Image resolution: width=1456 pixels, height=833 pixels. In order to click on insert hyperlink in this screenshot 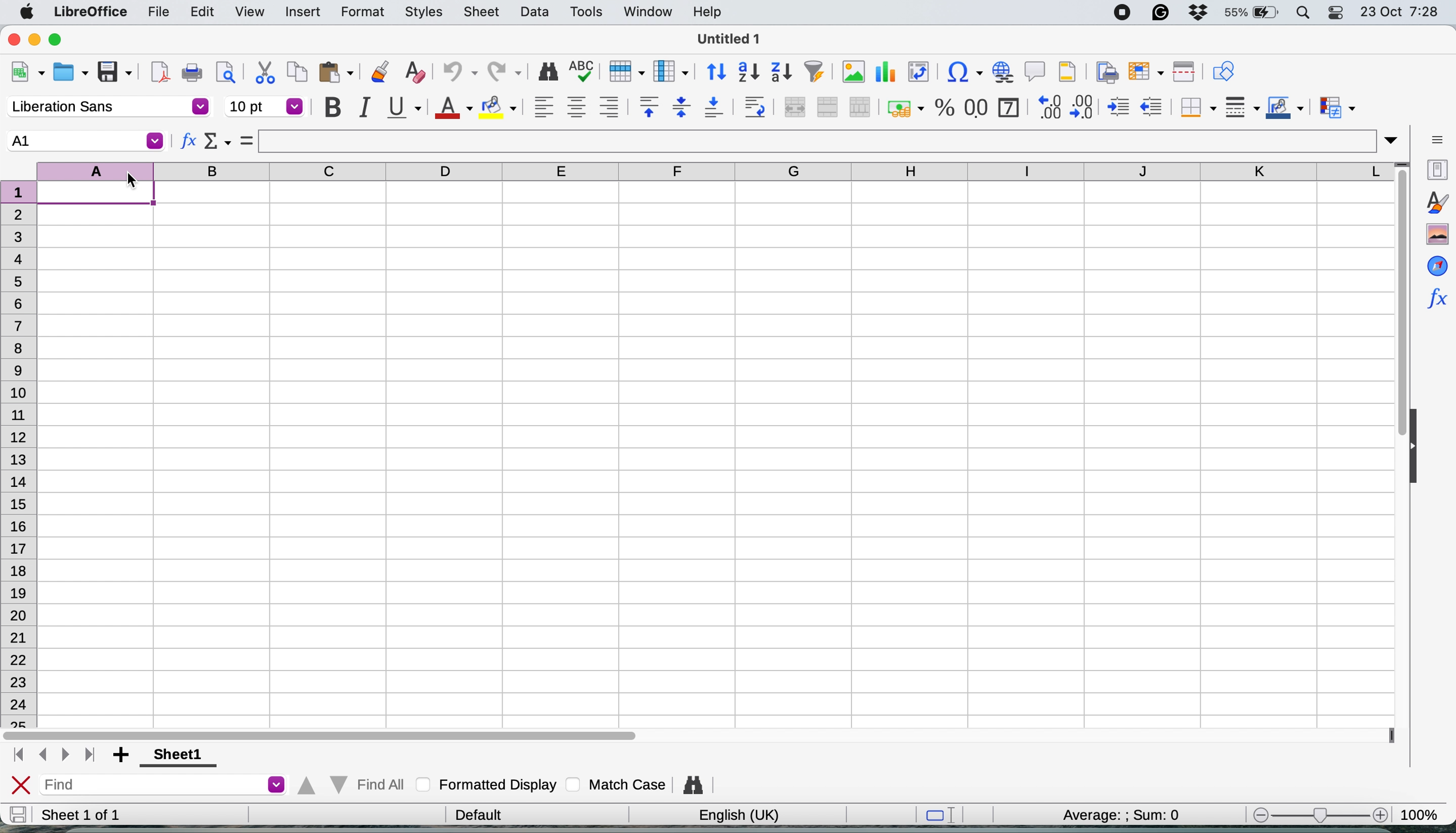, I will do `click(1003, 72)`.